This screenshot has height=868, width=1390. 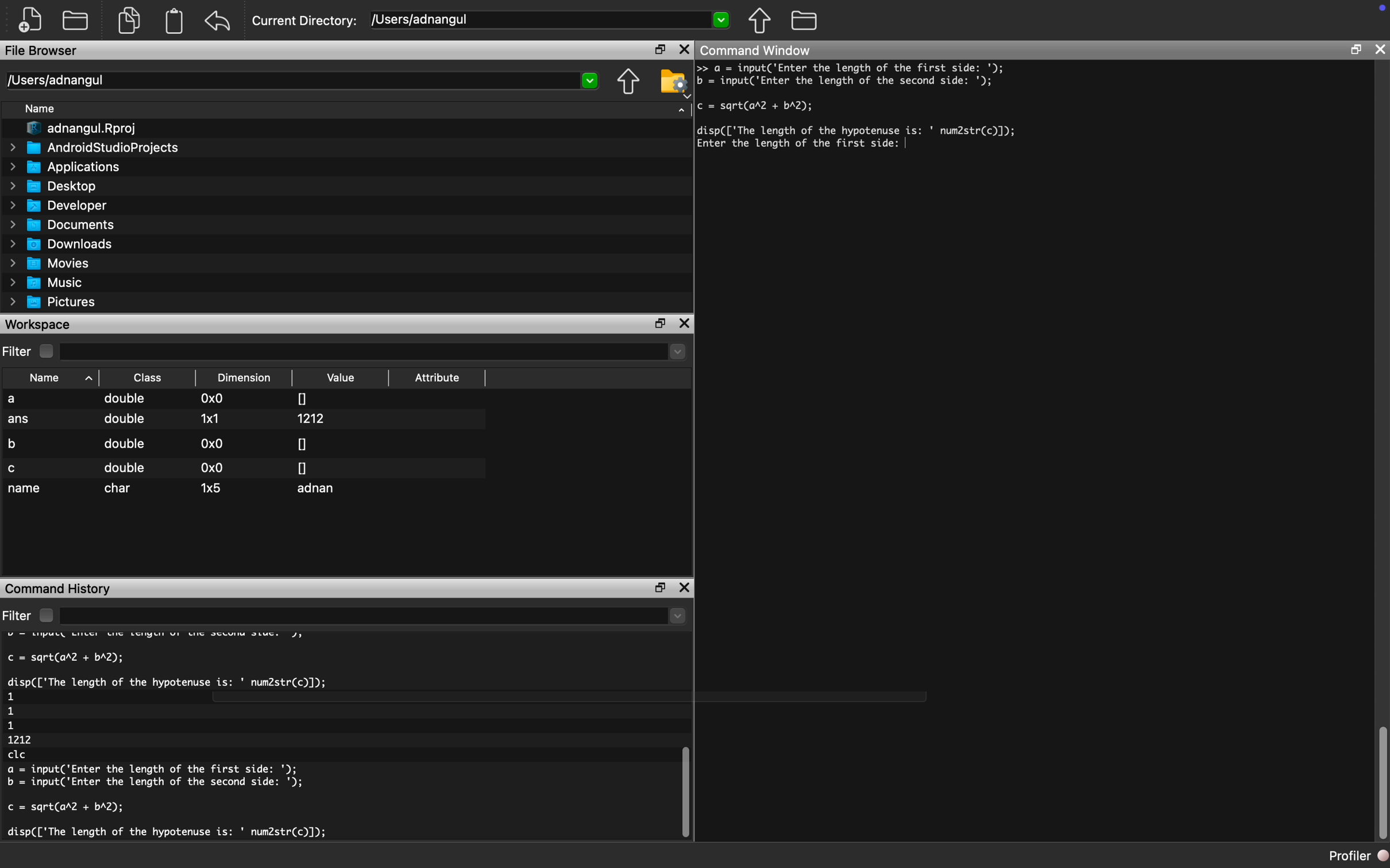 What do you see at coordinates (192, 739) in the screenshot?
I see `c = sqrt(arl + bA2);

disp(['The length of the hypotenuse is: ' num2str(c)]);
clc

a = input('Enter the length of the first side: ');

b = input('Enter the length of the second side: ');

c = sqrt(ar2 + bA2);

disp(['The length of the hypotenuse is: ' num2str(c)]);
1

1

1

1212

clc` at bounding box center [192, 739].